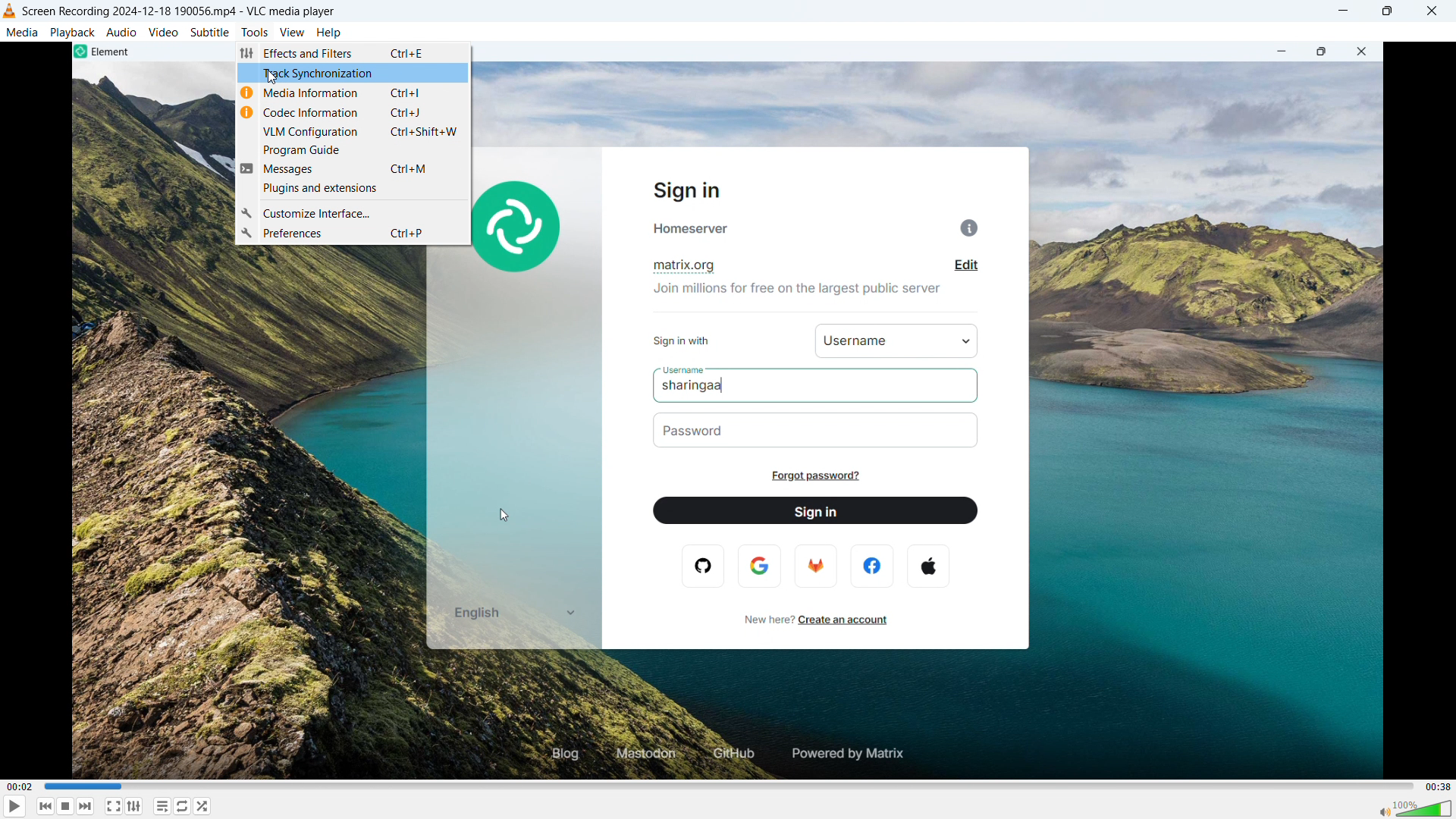 This screenshot has width=1456, height=819. What do you see at coordinates (353, 234) in the screenshot?
I see `preferences` at bounding box center [353, 234].